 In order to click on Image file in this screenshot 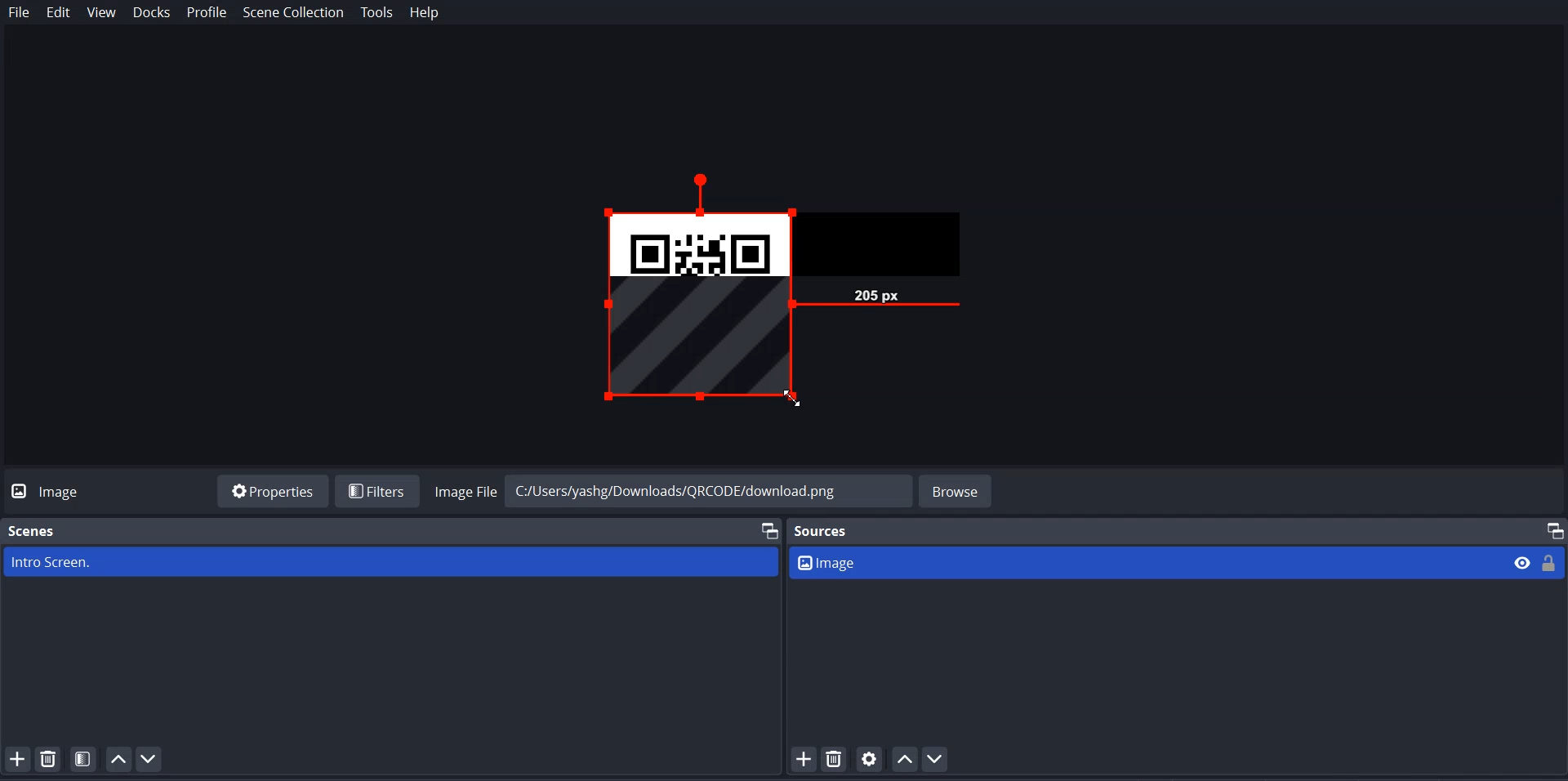, I will do `click(464, 489)`.